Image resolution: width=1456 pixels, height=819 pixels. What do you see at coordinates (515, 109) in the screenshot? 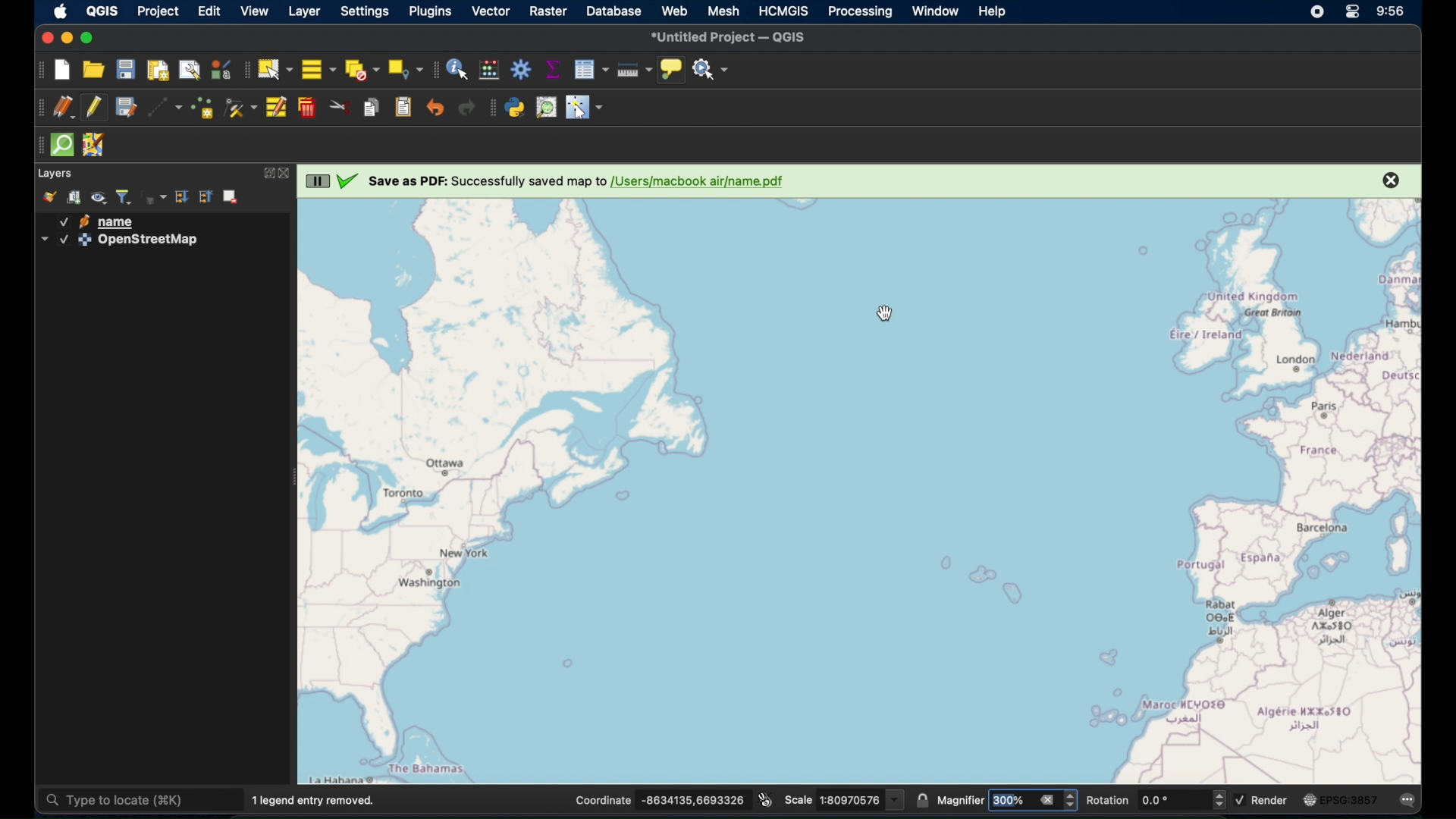
I see `python console` at bounding box center [515, 109].